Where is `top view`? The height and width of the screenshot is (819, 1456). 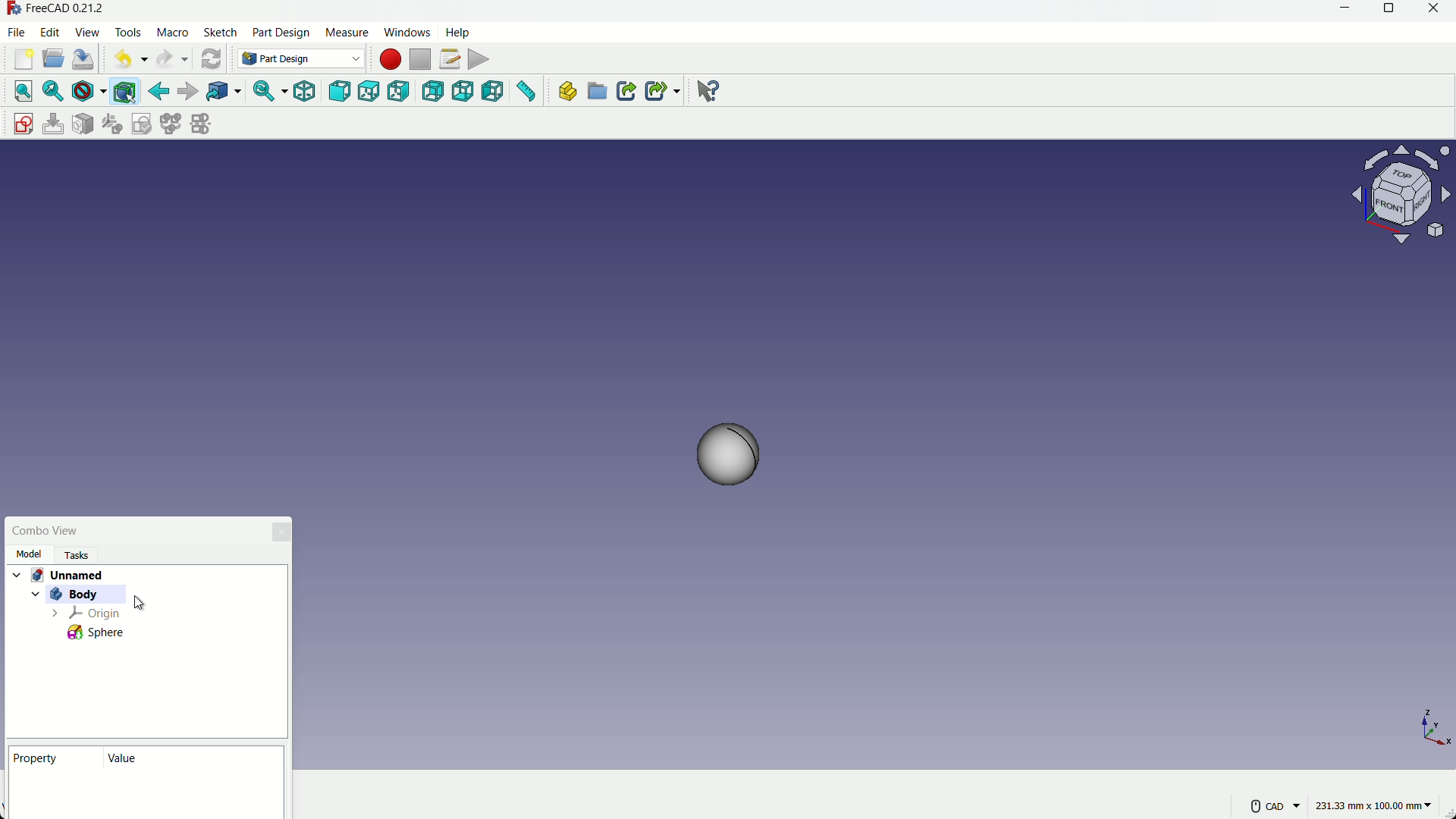 top view is located at coordinates (369, 91).